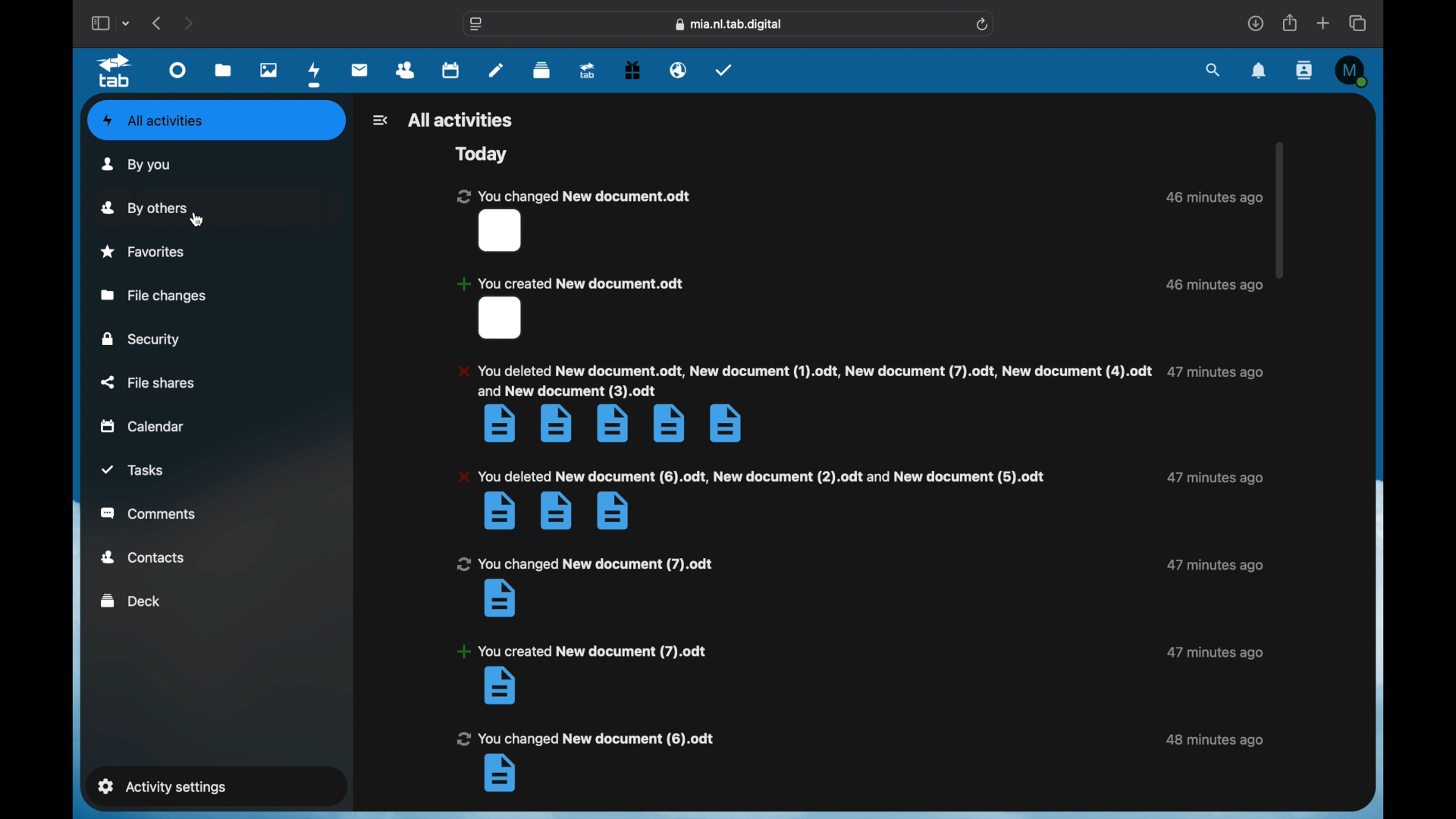 Image resolution: width=1456 pixels, height=819 pixels. Describe the element at coordinates (224, 70) in the screenshot. I see `files` at that location.